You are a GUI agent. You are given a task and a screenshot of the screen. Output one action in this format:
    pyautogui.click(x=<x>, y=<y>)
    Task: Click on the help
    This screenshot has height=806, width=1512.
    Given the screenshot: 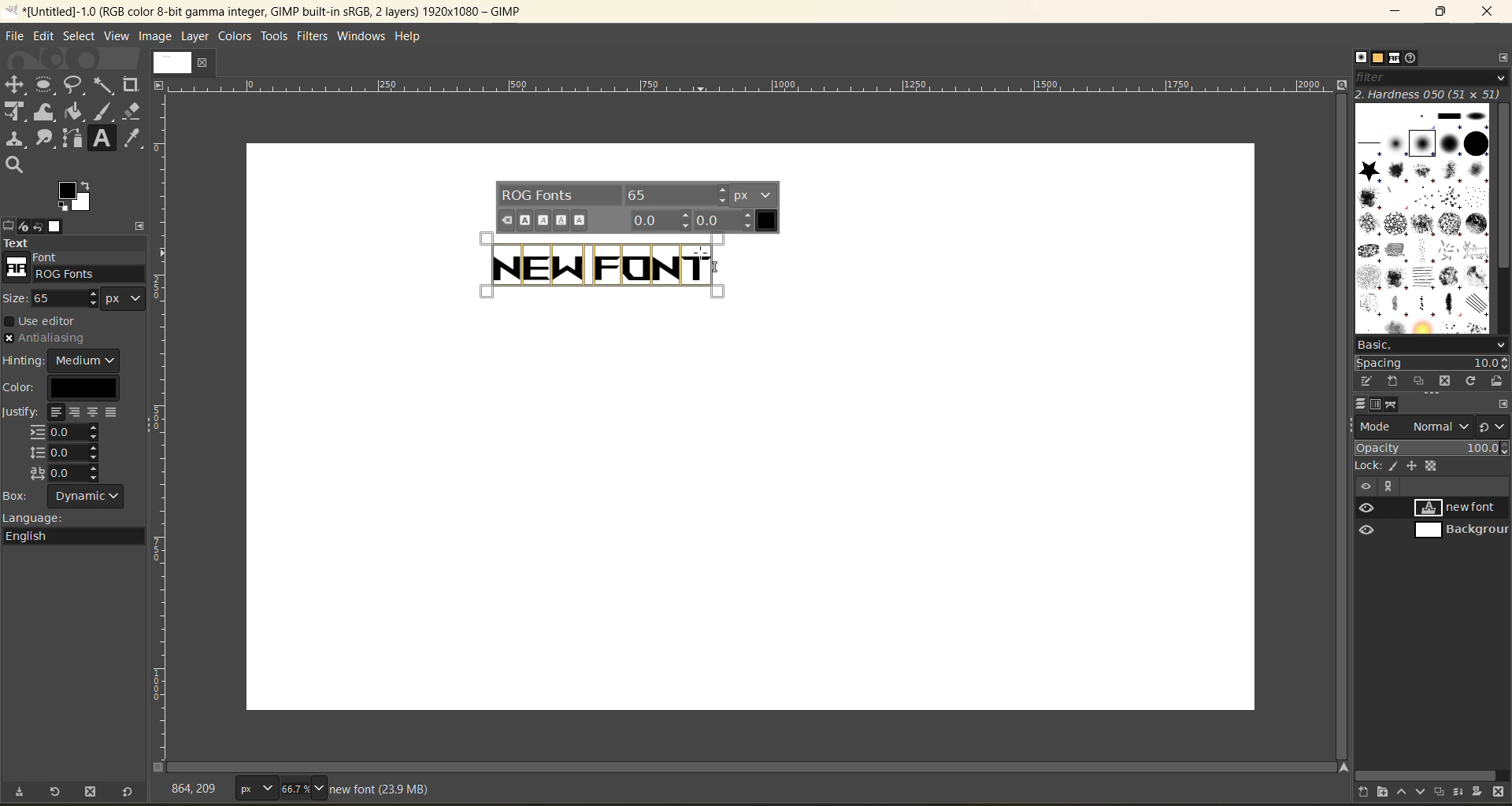 What is the action you would take?
    pyautogui.click(x=416, y=39)
    